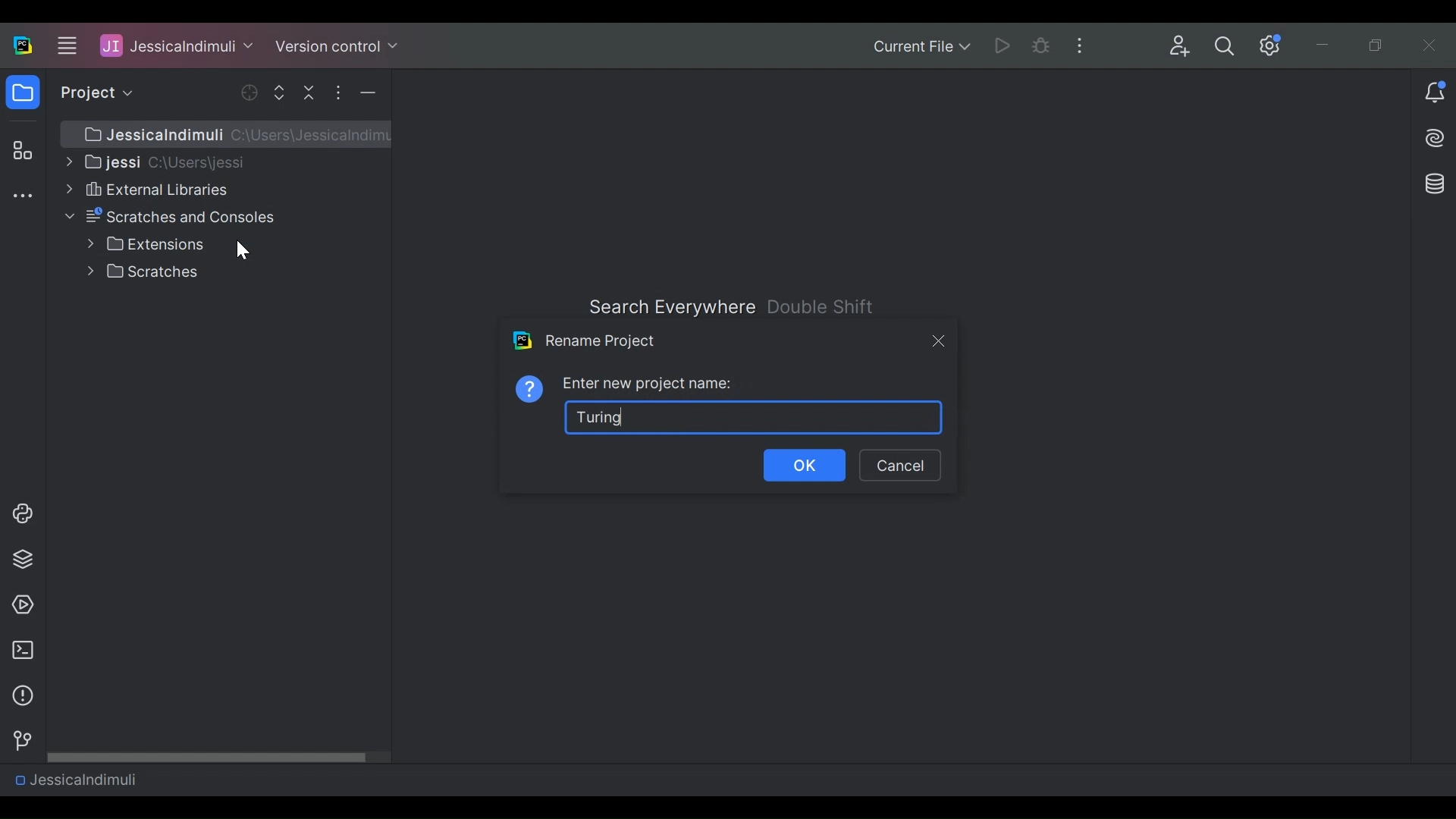 The height and width of the screenshot is (819, 1456). I want to click on AI Assistant, so click(1436, 138).